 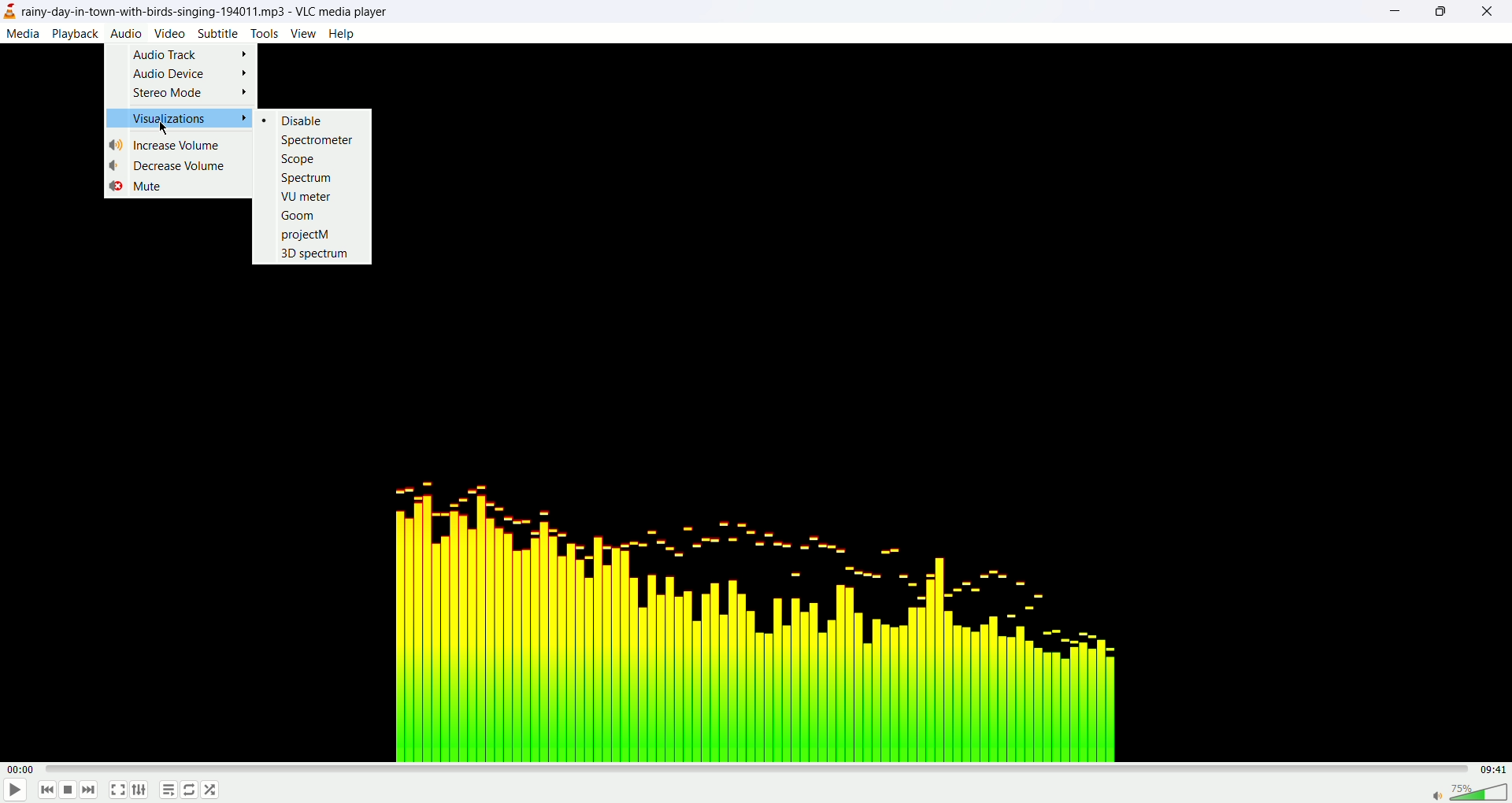 I want to click on increase volume, so click(x=169, y=145).